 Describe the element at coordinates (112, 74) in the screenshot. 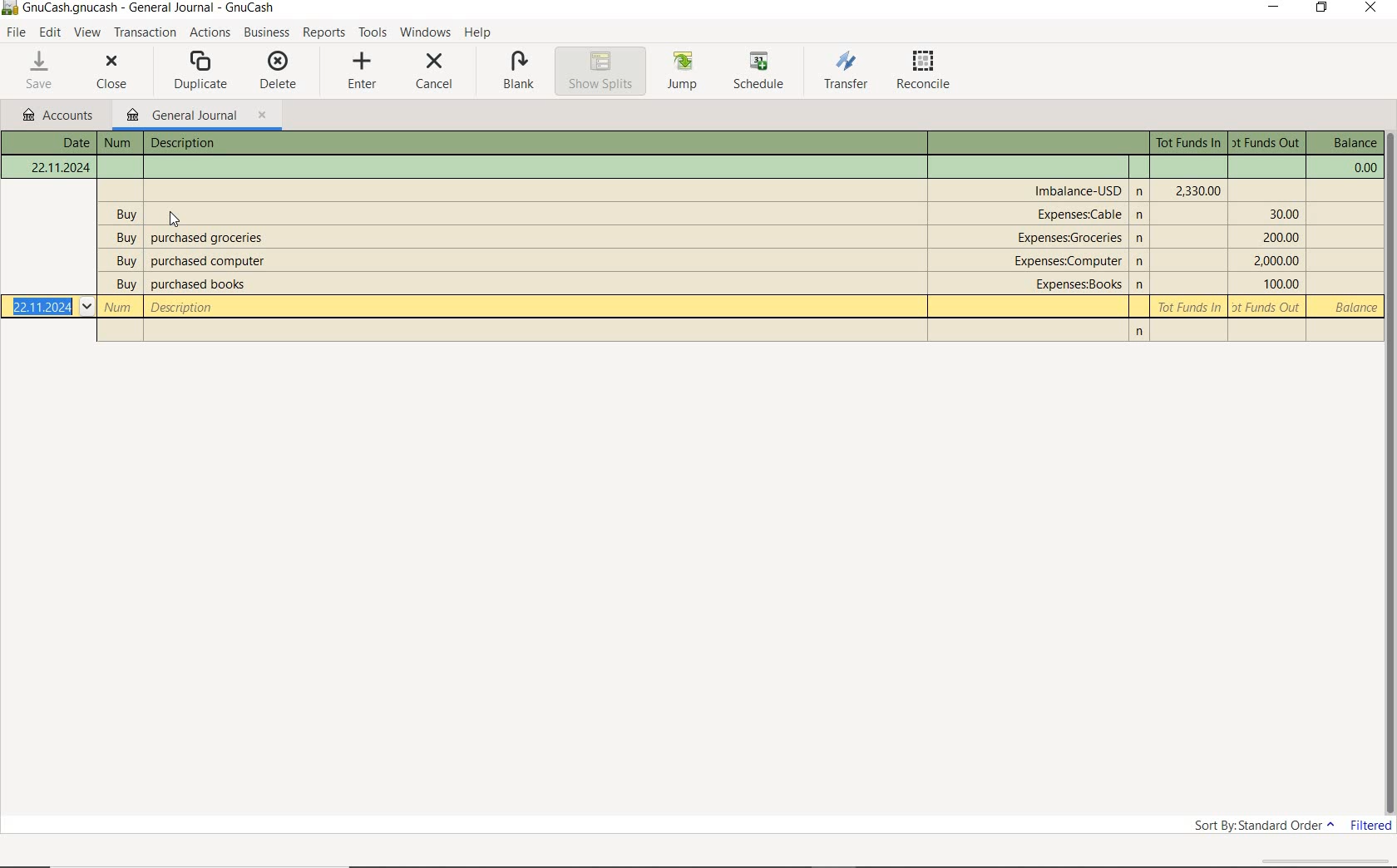

I see `close` at that location.